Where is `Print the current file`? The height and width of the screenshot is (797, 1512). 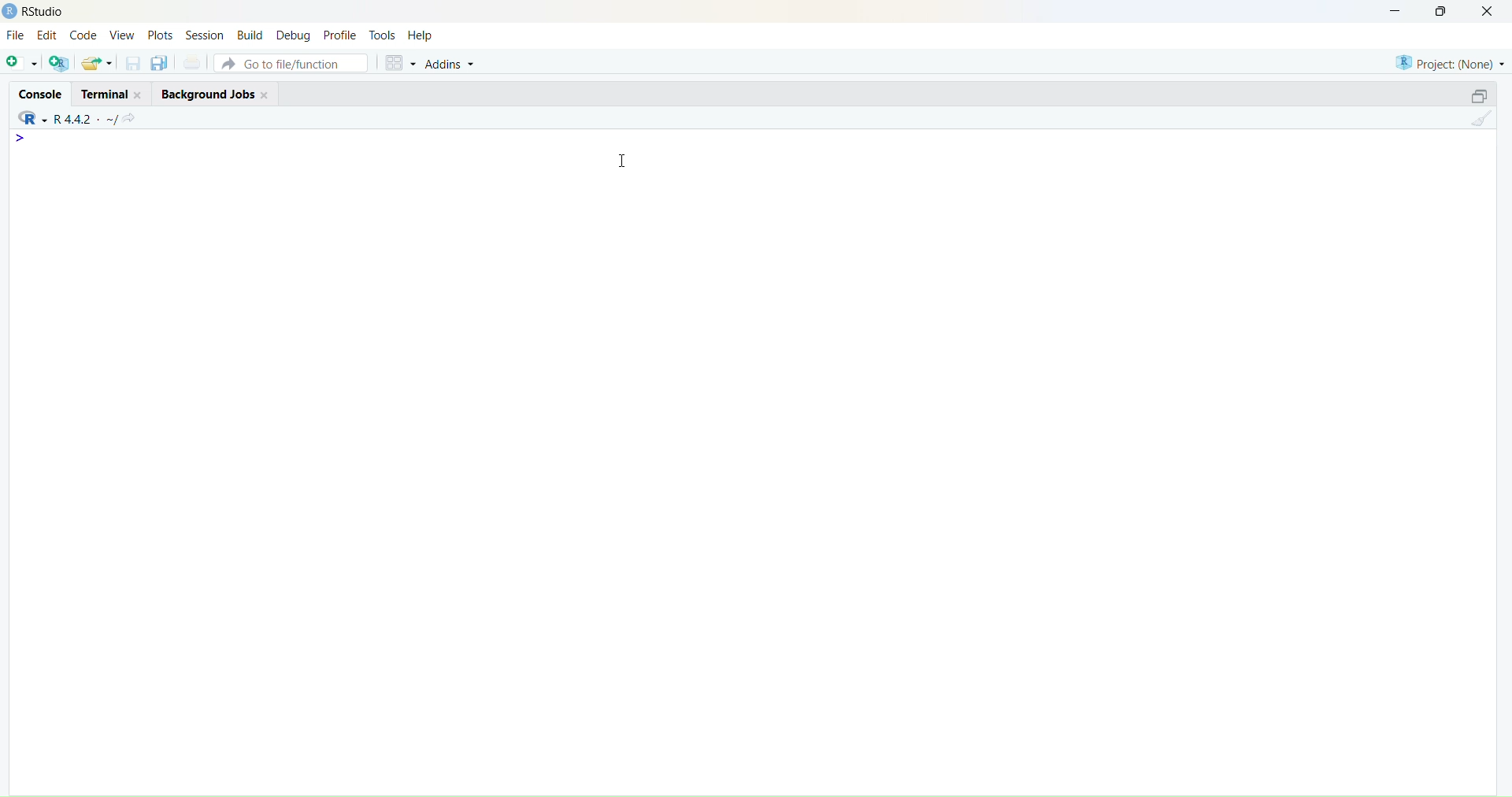 Print the current file is located at coordinates (191, 63).